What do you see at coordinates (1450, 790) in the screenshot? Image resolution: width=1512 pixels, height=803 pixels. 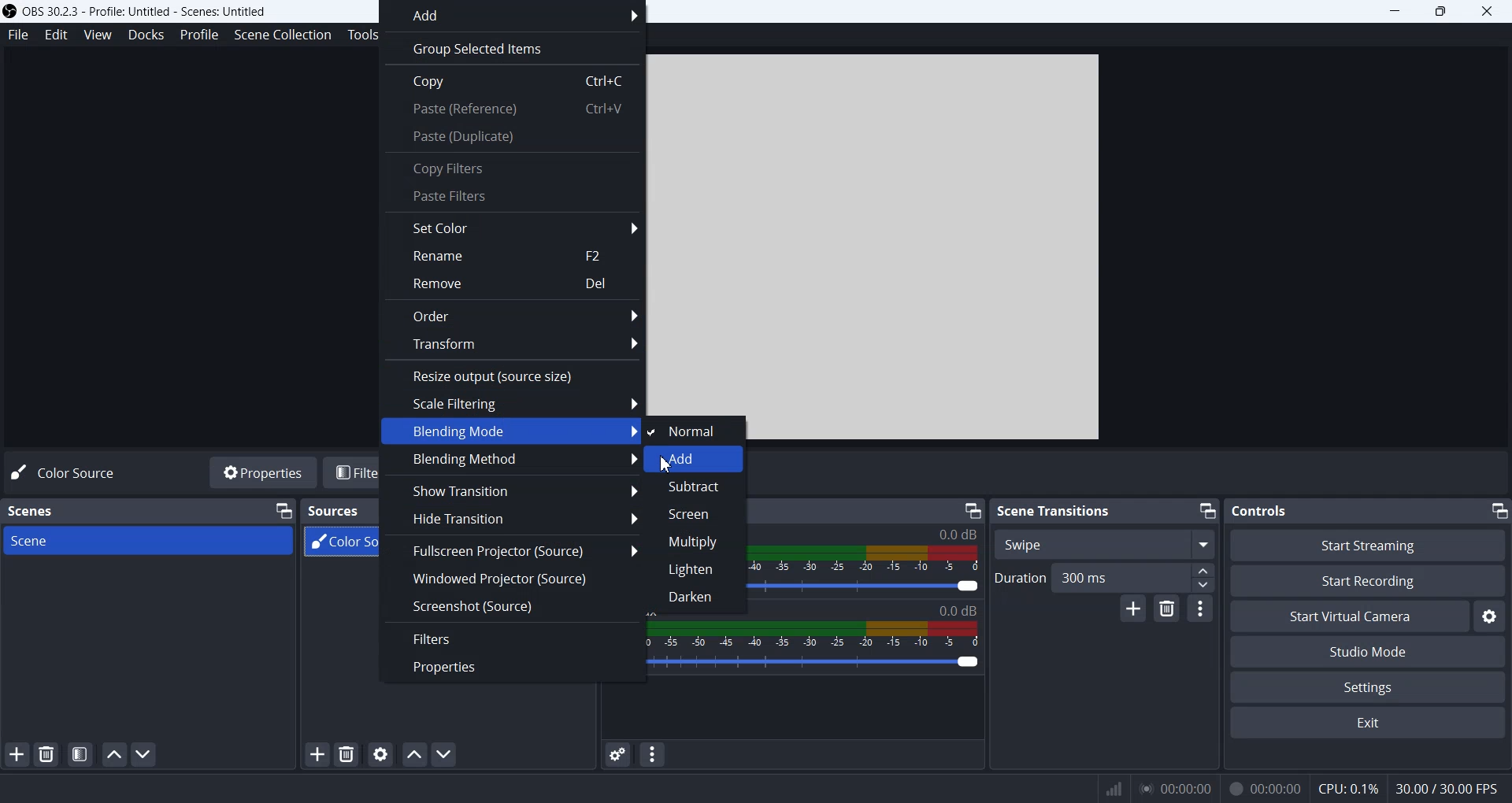 I see `30.00 / 30.00 FPS` at bounding box center [1450, 790].